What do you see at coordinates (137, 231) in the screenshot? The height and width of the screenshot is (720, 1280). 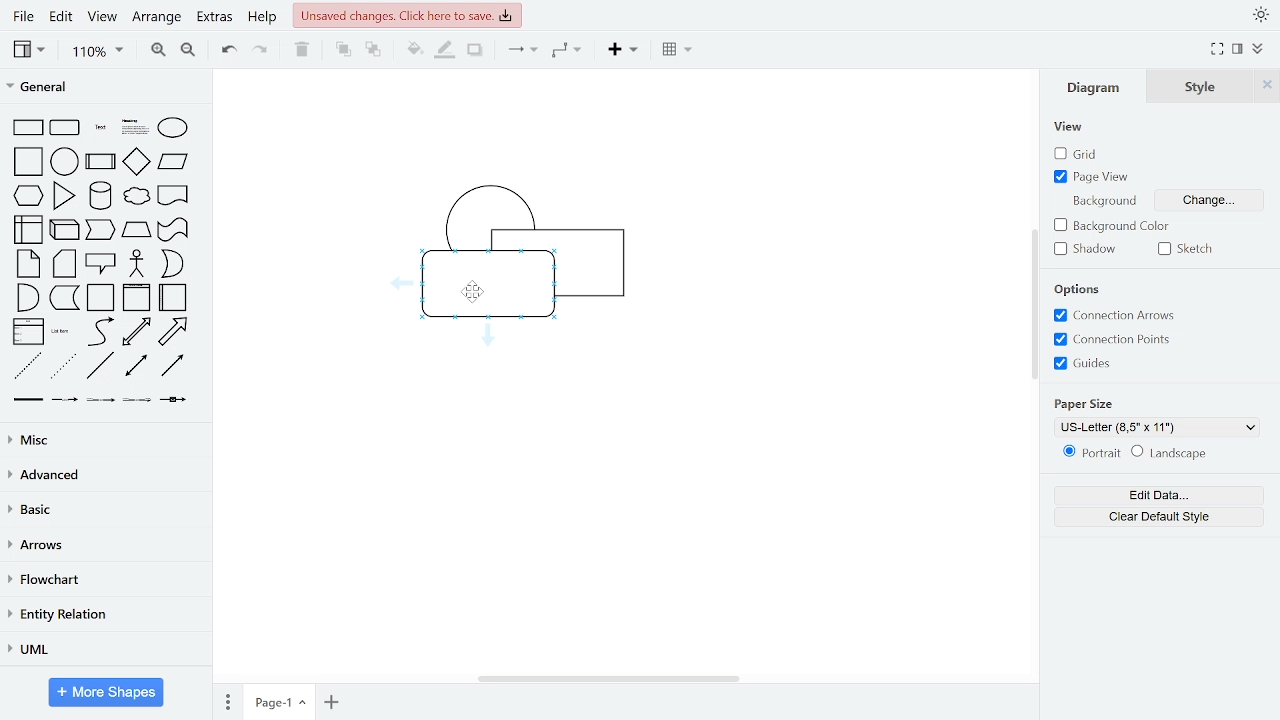 I see `trapezoid` at bounding box center [137, 231].